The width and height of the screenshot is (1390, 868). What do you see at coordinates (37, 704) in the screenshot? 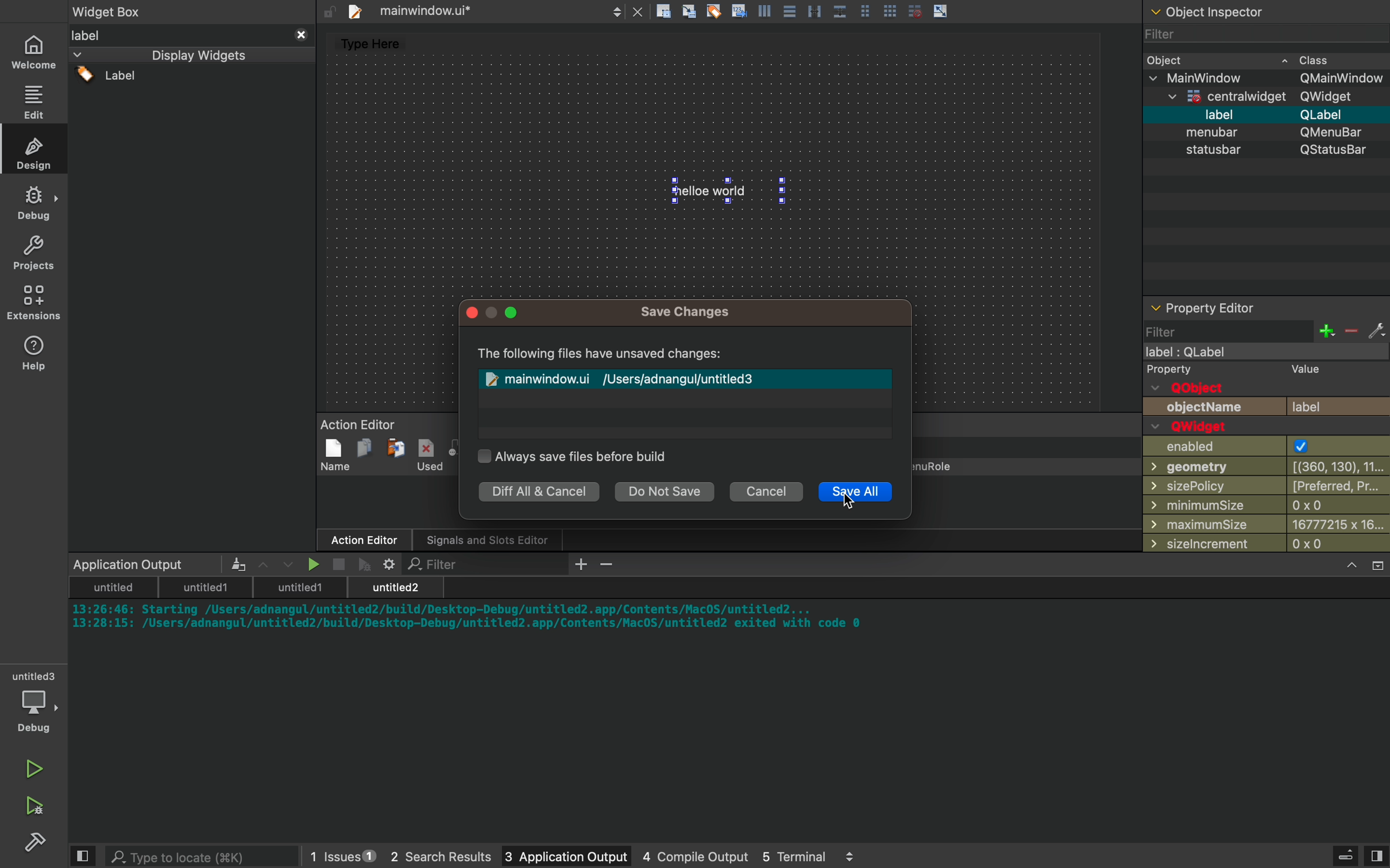
I see `debug` at bounding box center [37, 704].